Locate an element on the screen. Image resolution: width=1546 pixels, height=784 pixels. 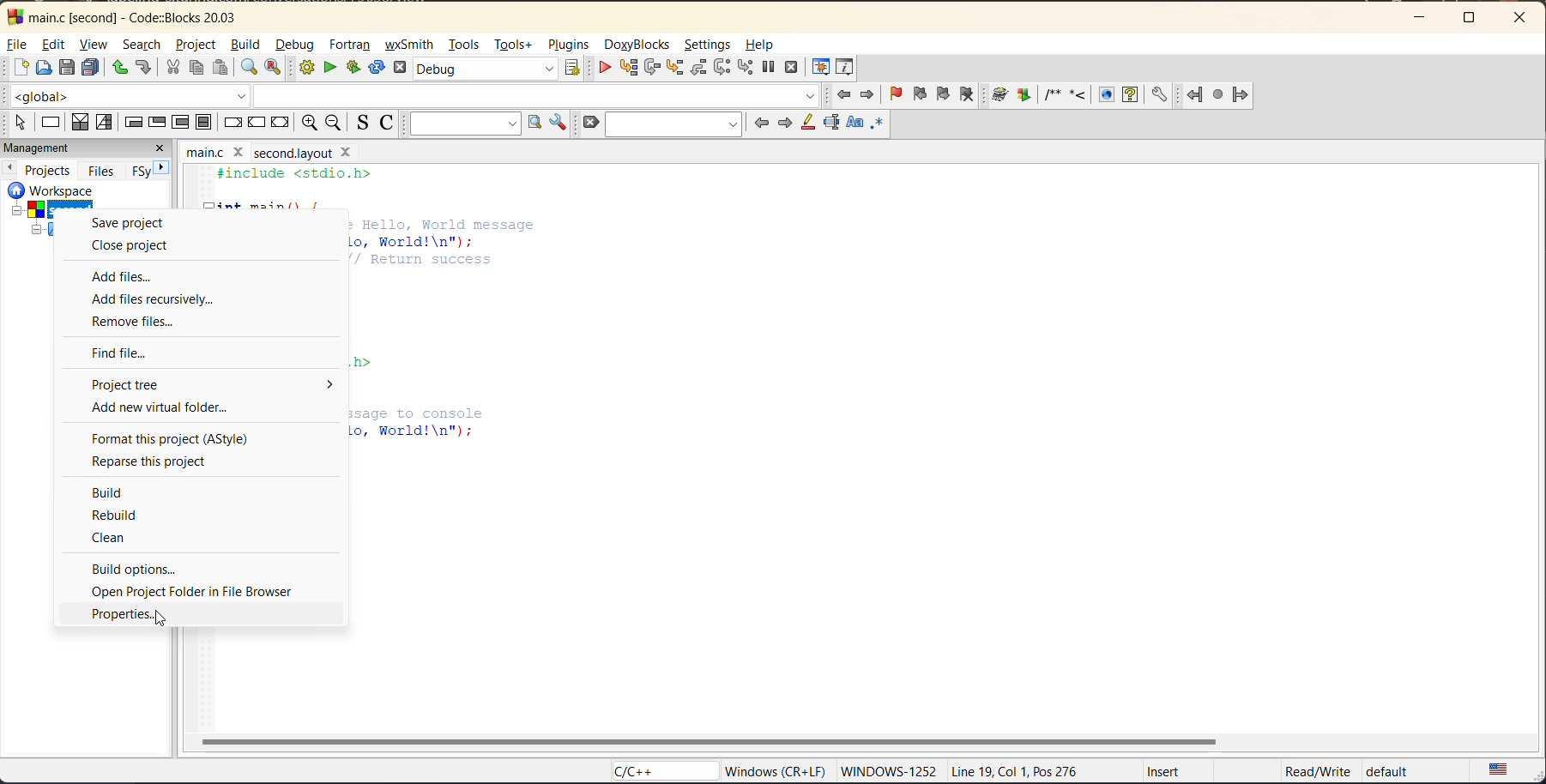
run search is located at coordinates (534, 122).